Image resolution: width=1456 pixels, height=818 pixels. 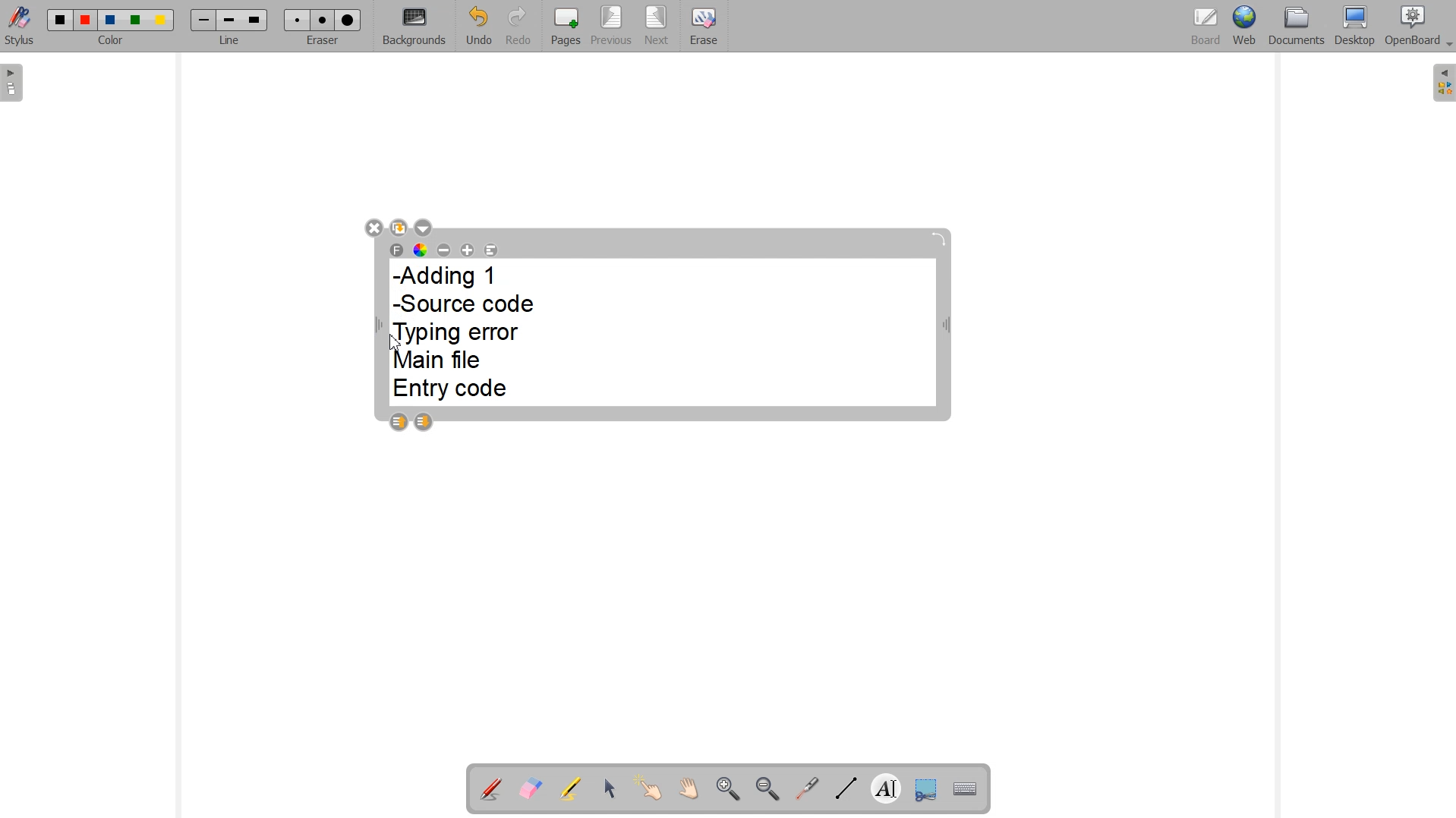 What do you see at coordinates (230, 20) in the screenshot?
I see `Medium line` at bounding box center [230, 20].